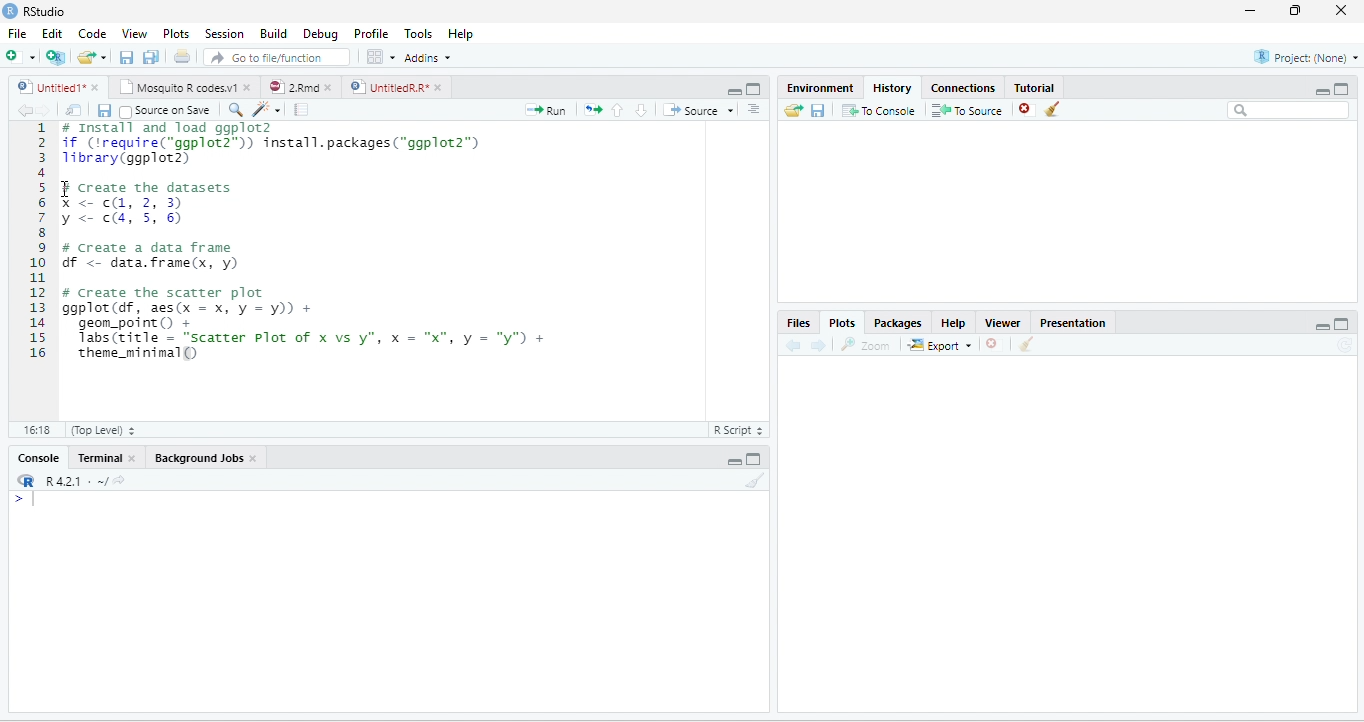 The width and height of the screenshot is (1364, 722). What do you see at coordinates (57, 55) in the screenshot?
I see `Create a project` at bounding box center [57, 55].